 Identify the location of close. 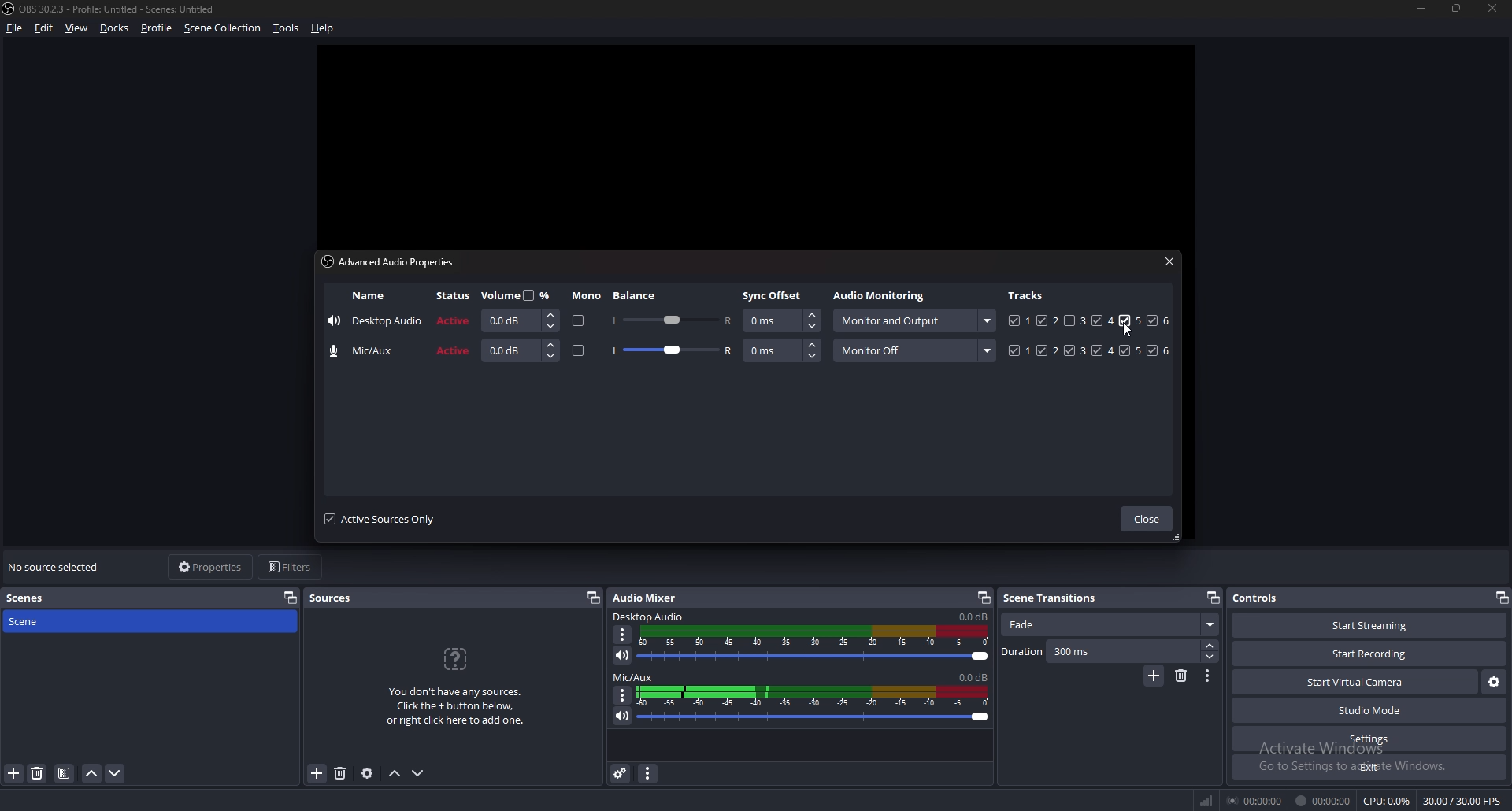
(1169, 261).